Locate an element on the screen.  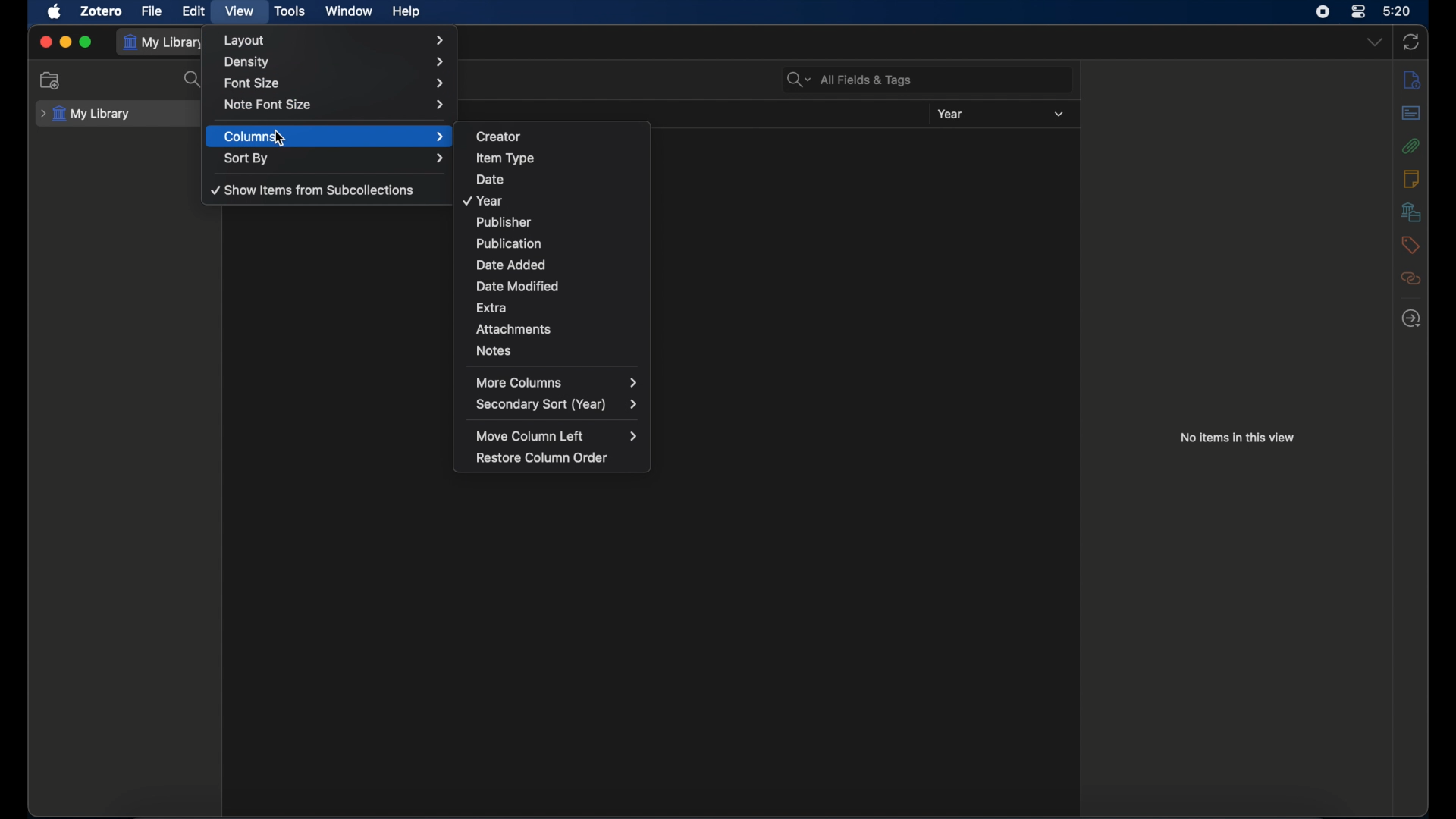
time is located at coordinates (1398, 10).